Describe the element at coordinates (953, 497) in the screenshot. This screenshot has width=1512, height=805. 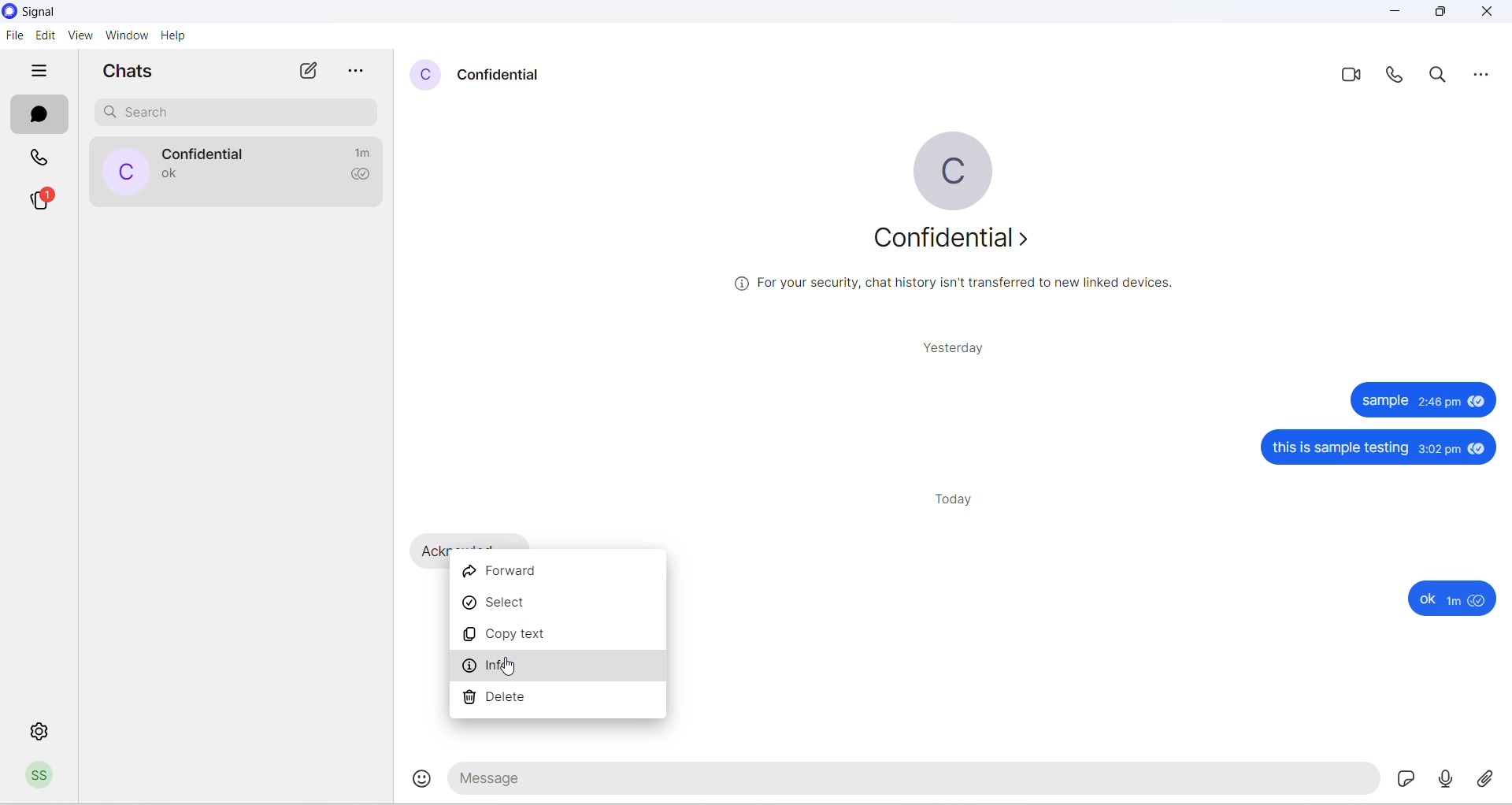
I see `today heading` at that location.